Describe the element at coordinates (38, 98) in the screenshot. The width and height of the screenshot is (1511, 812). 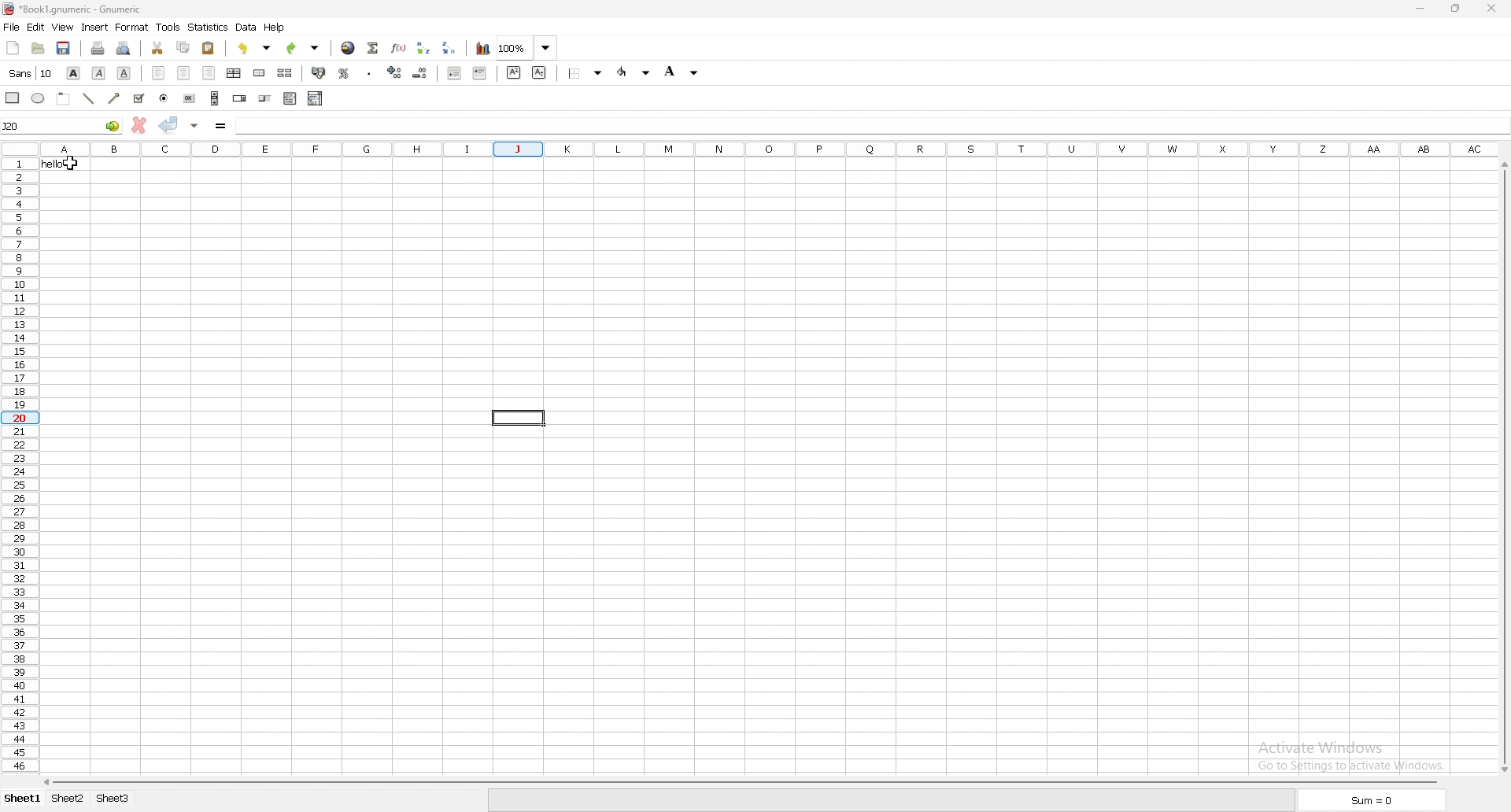
I see `ellipse` at that location.